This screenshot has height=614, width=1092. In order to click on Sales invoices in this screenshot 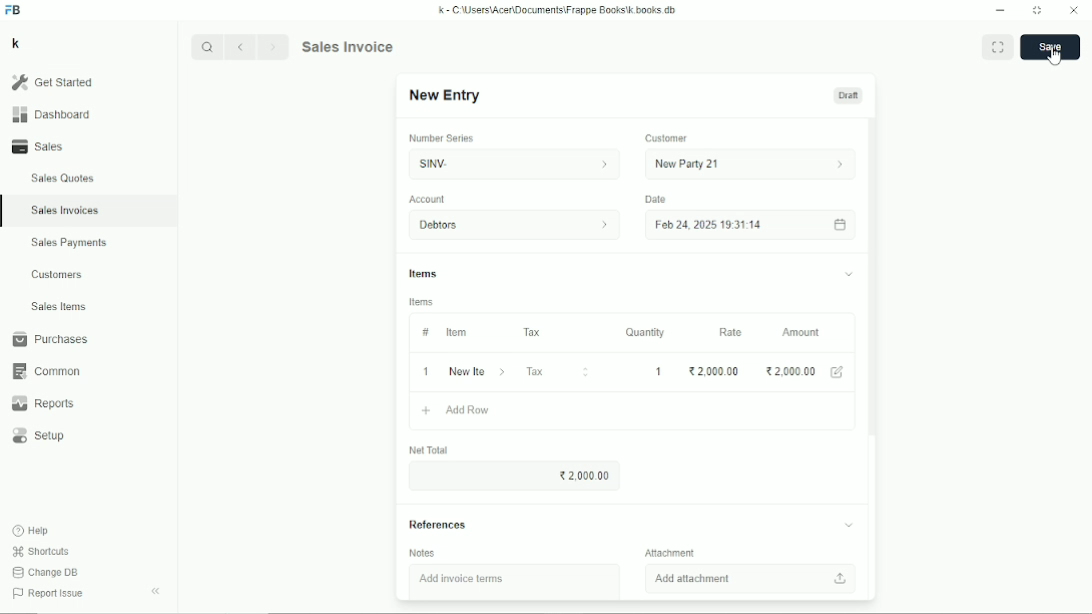, I will do `click(64, 210)`.